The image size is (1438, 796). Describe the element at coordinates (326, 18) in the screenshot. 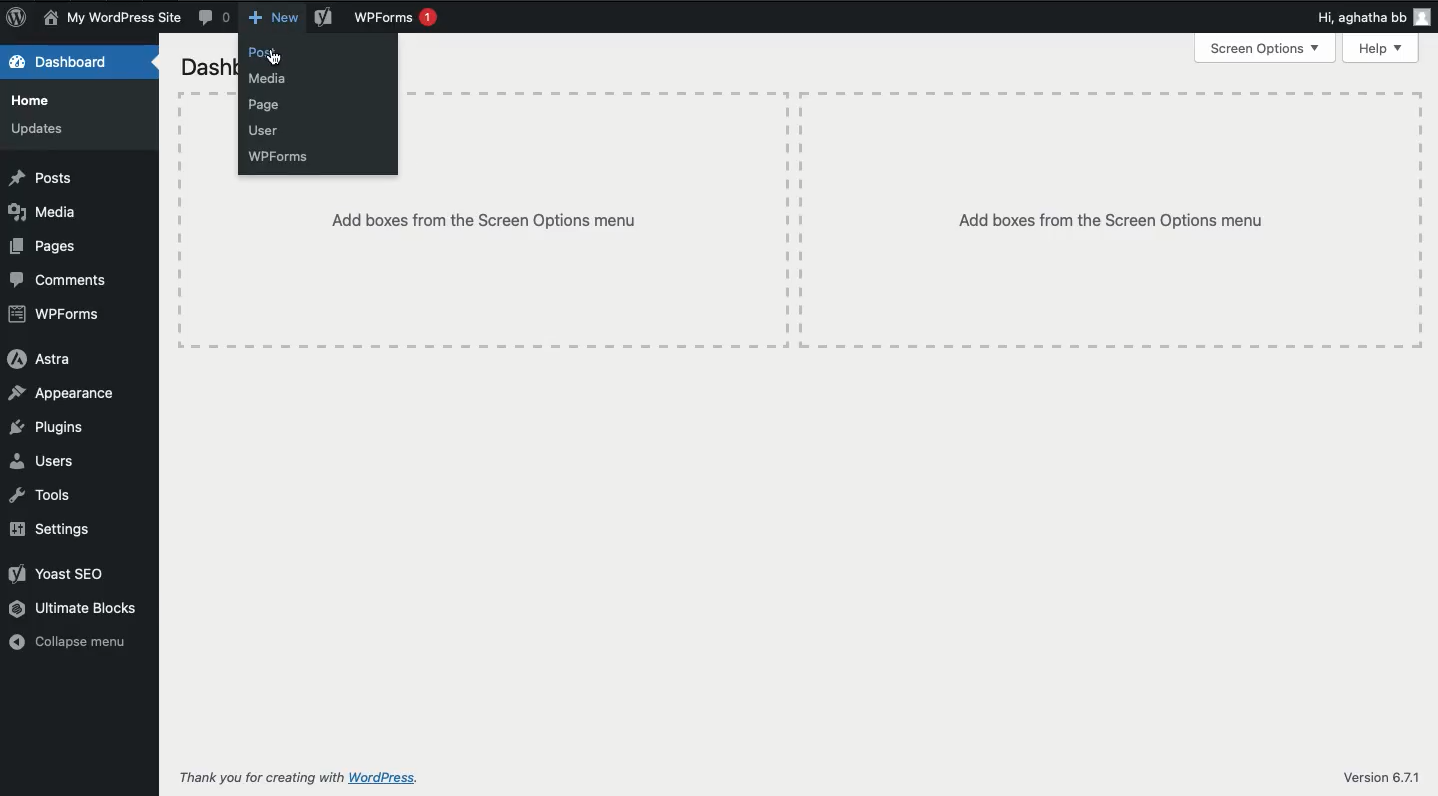

I see `Yoast` at that location.